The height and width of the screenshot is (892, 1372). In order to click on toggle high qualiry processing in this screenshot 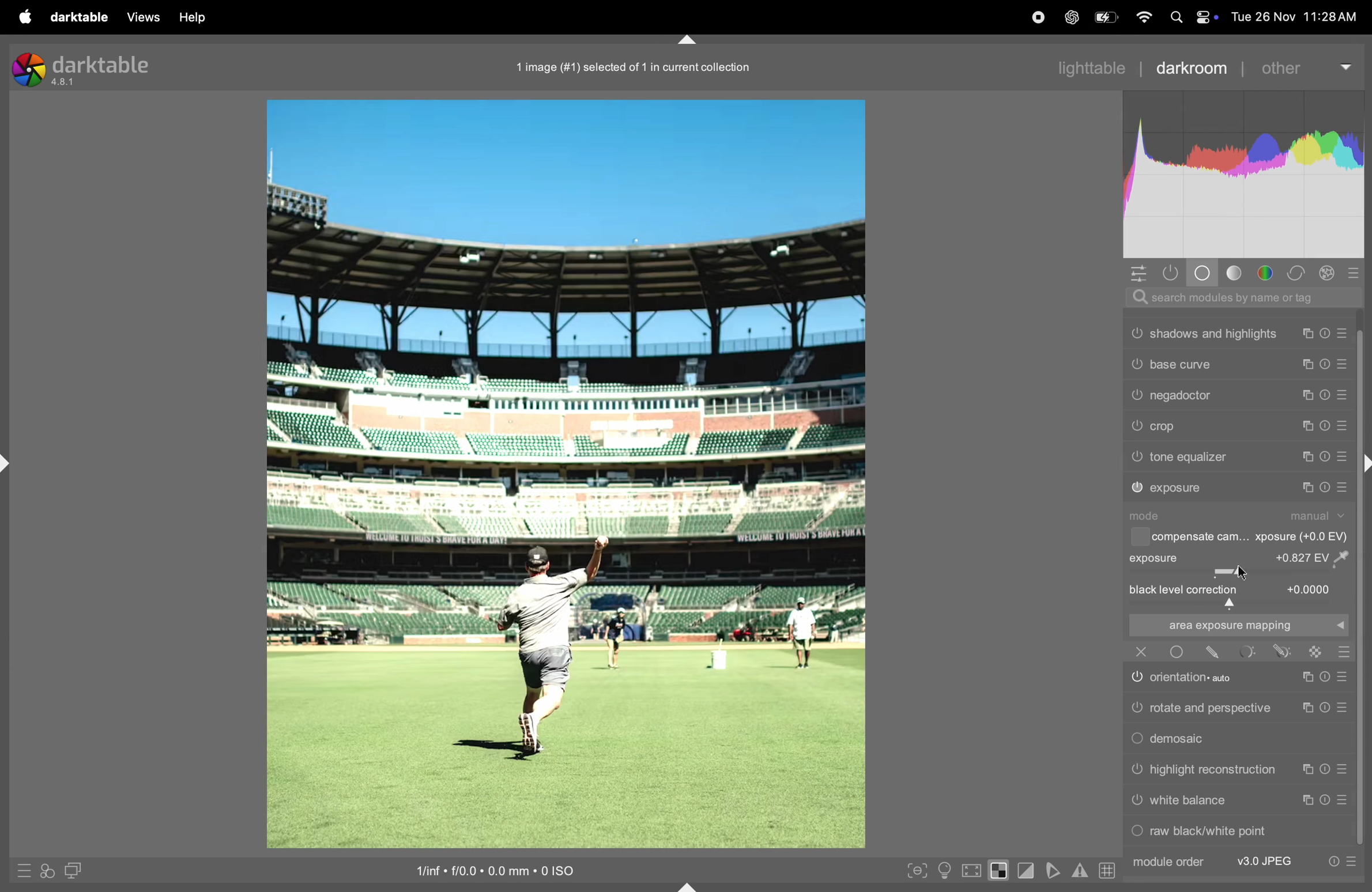, I will do `click(972, 869)`.